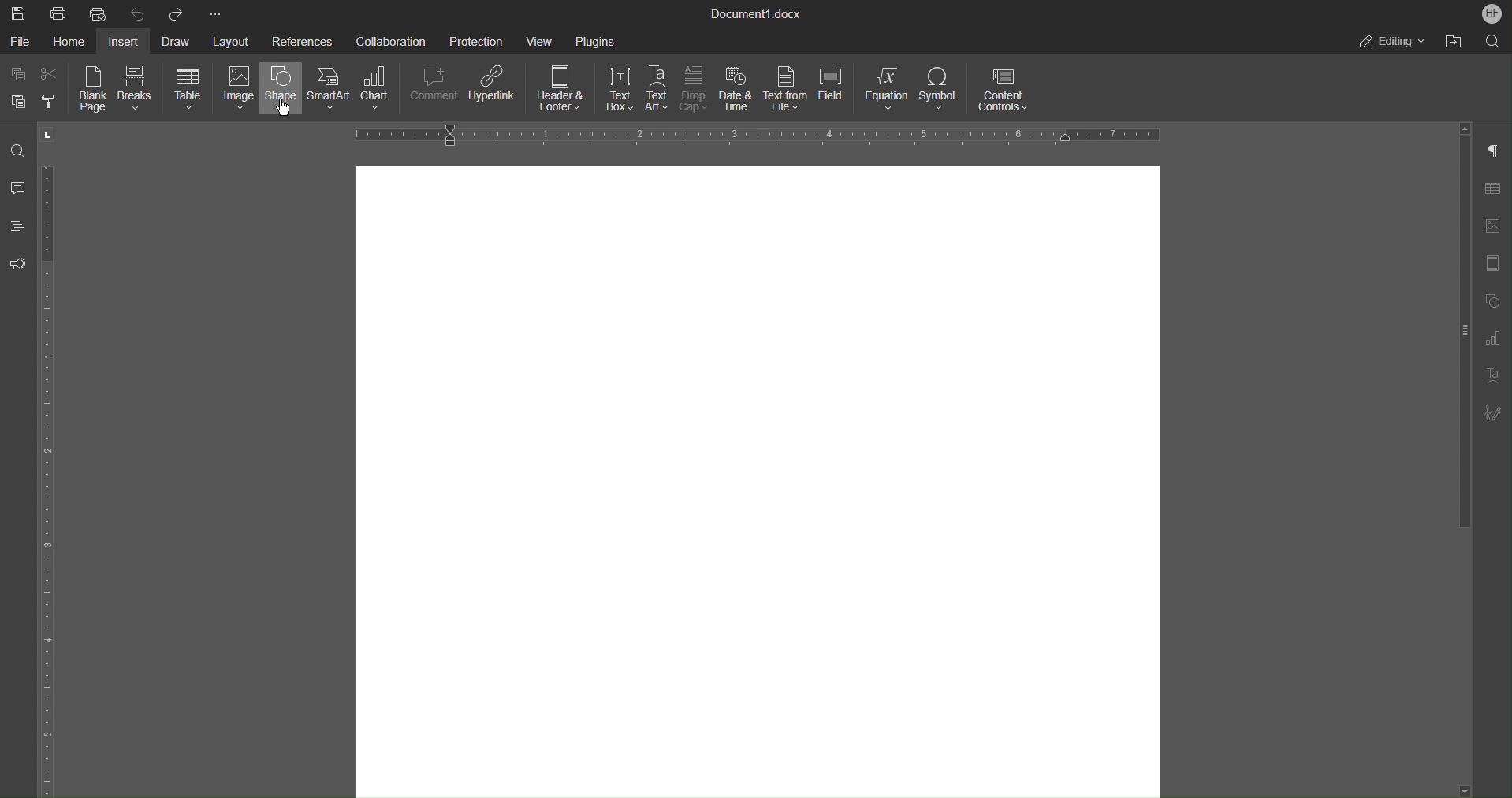 The image size is (1512, 798). Describe the element at coordinates (757, 476) in the screenshot. I see `Blank page` at that location.